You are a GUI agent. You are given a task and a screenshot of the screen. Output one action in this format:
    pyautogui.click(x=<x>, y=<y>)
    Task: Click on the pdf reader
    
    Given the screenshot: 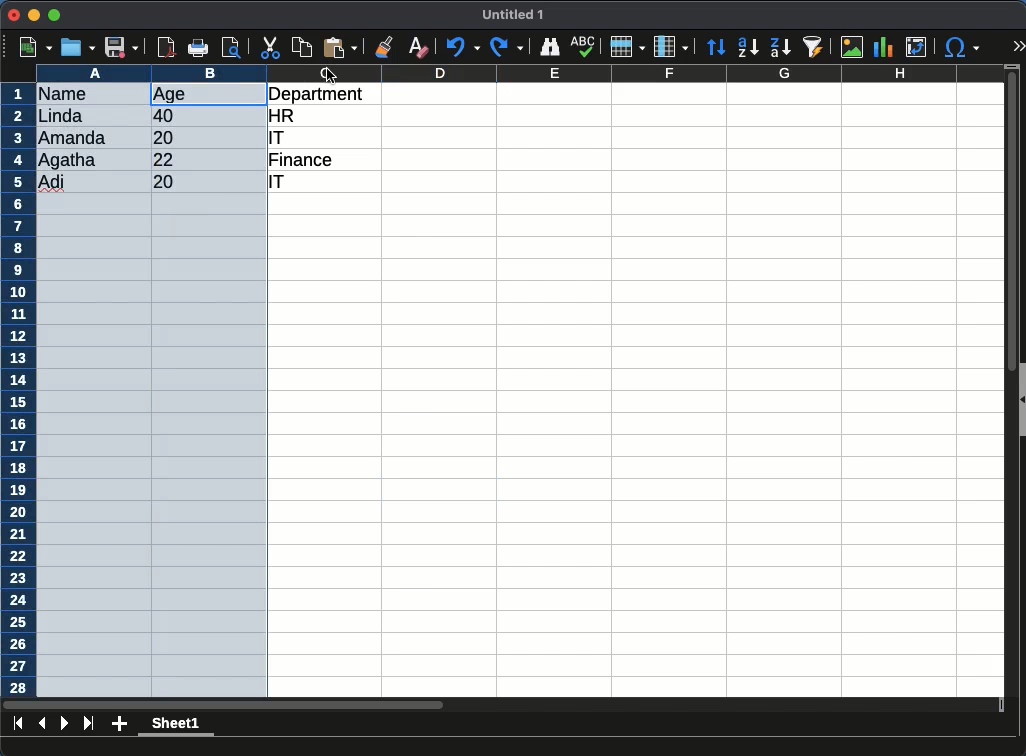 What is the action you would take?
    pyautogui.click(x=166, y=49)
    